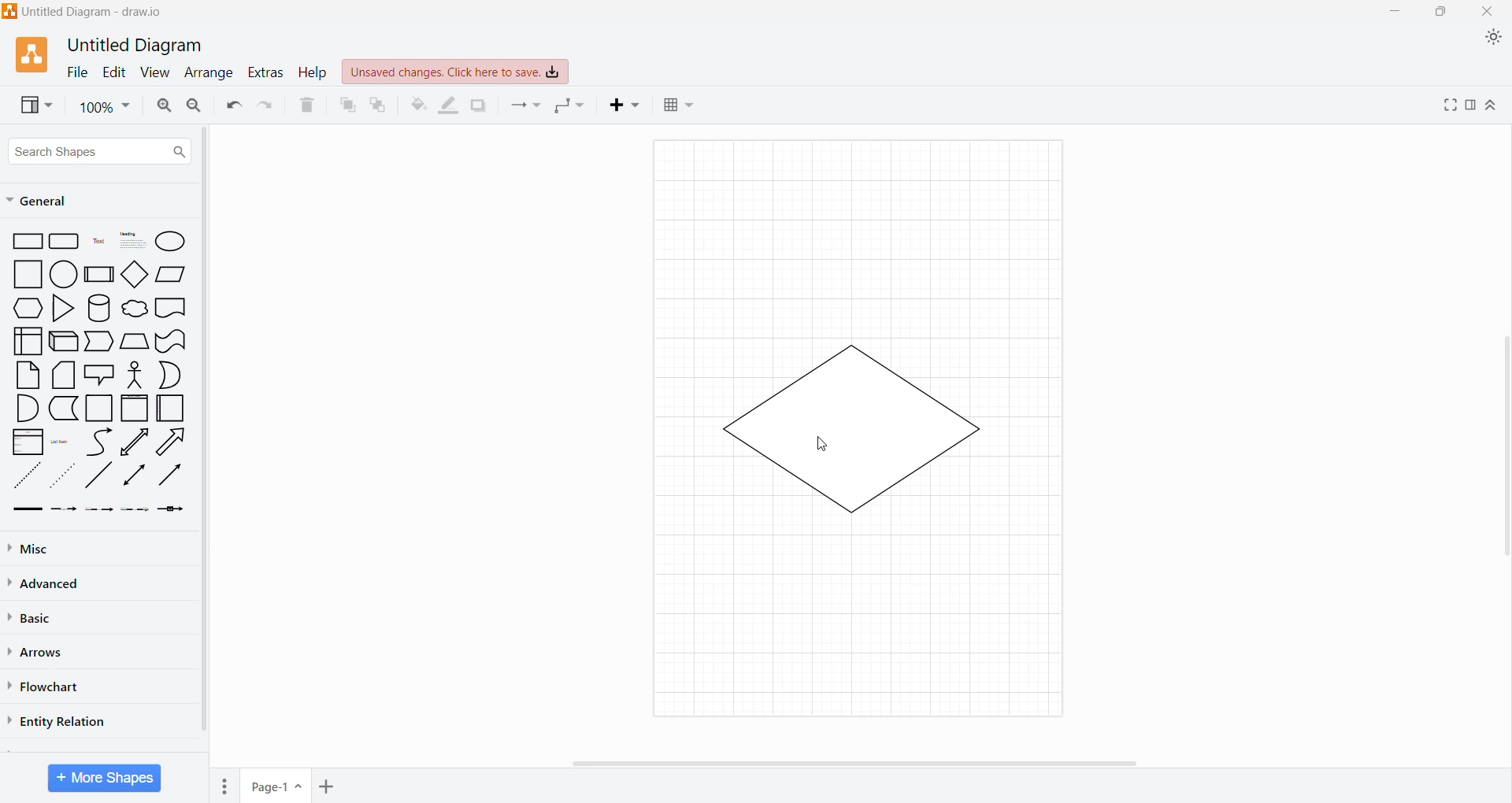  Describe the element at coordinates (27, 510) in the screenshot. I see `Link` at that location.